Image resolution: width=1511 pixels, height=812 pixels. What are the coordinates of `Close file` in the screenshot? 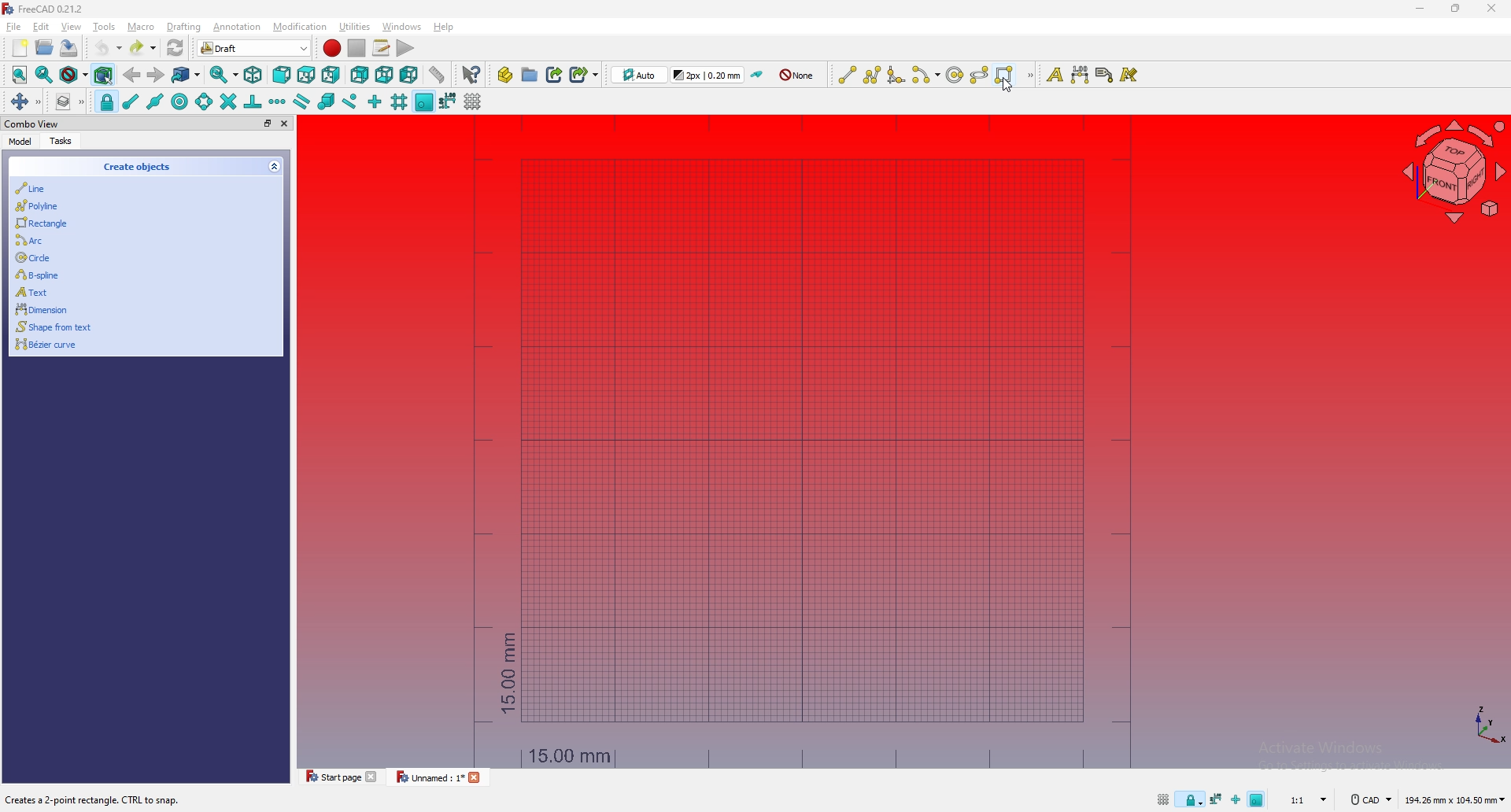 It's located at (374, 777).